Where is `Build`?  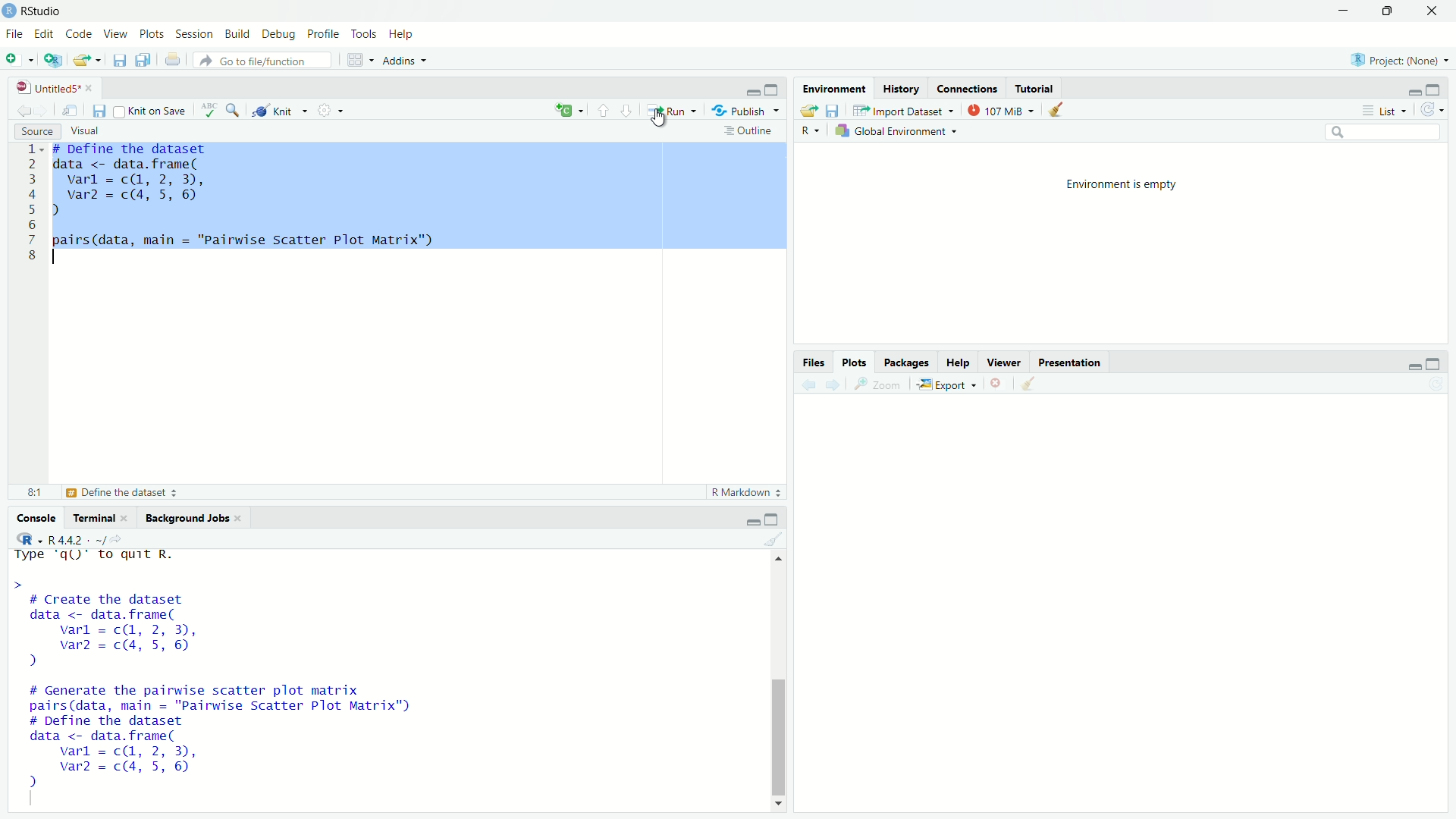 Build is located at coordinates (239, 34).